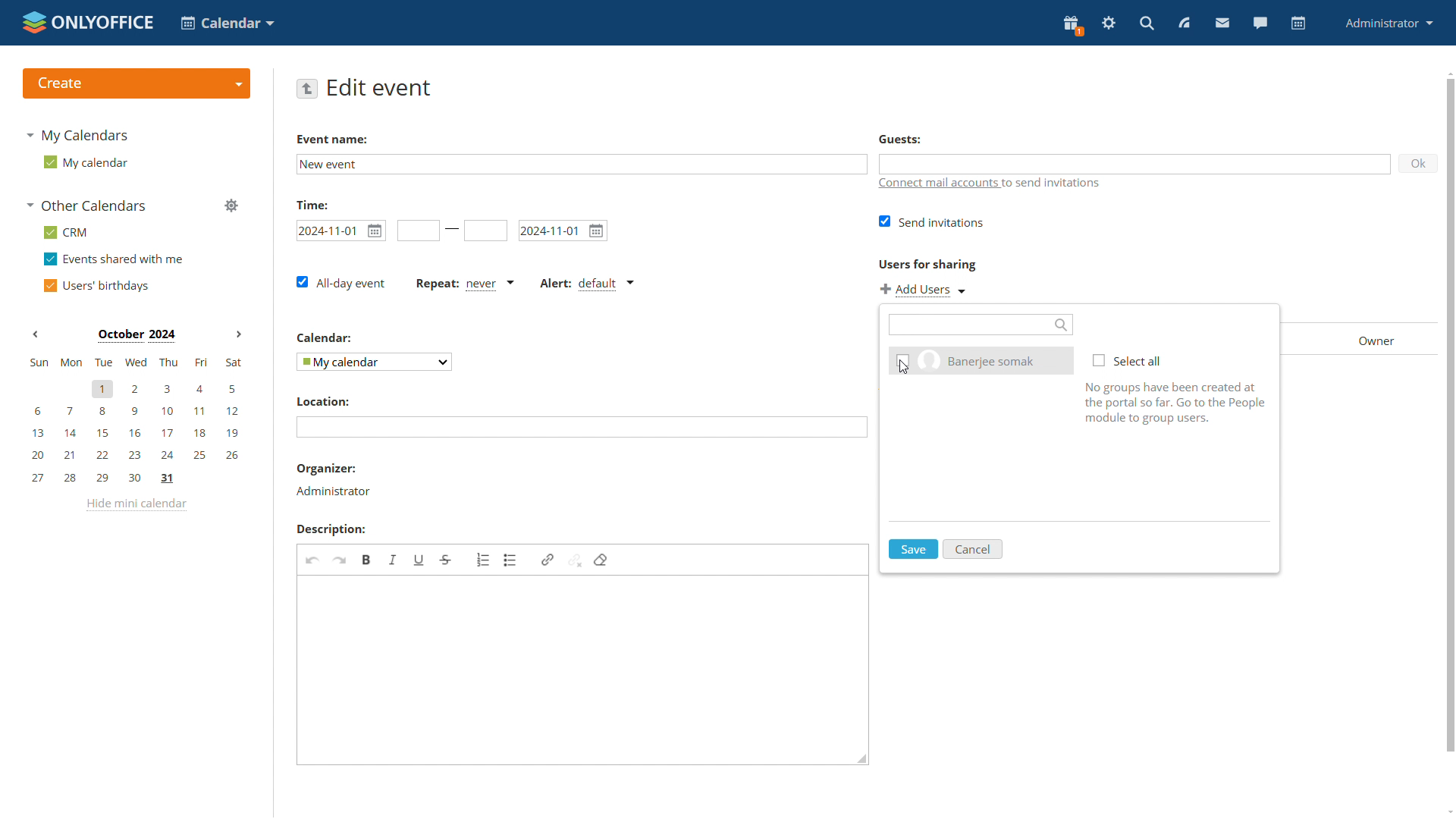  Describe the element at coordinates (67, 232) in the screenshot. I see `crm` at that location.